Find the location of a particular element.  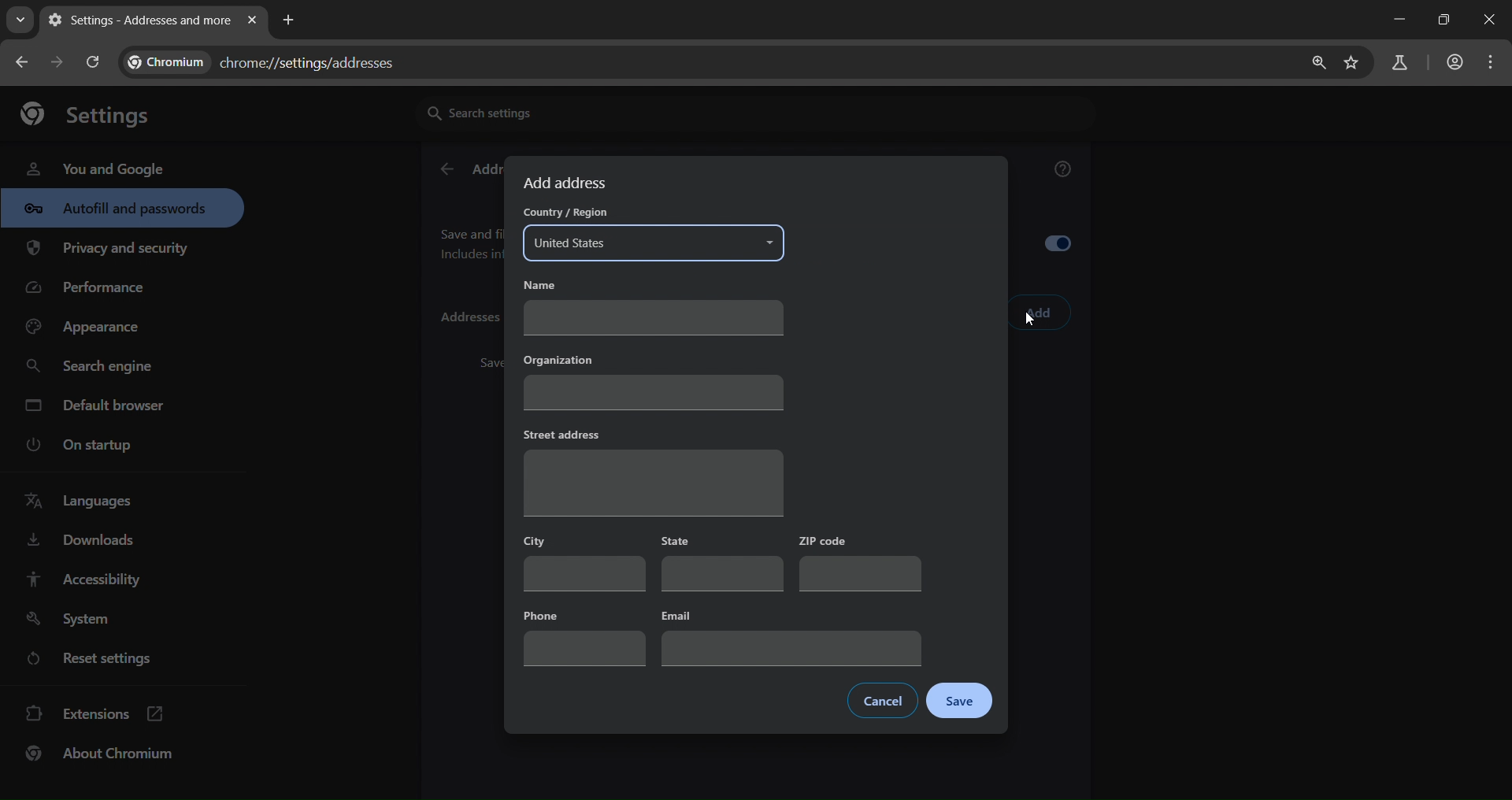

go back one page is located at coordinates (24, 61).